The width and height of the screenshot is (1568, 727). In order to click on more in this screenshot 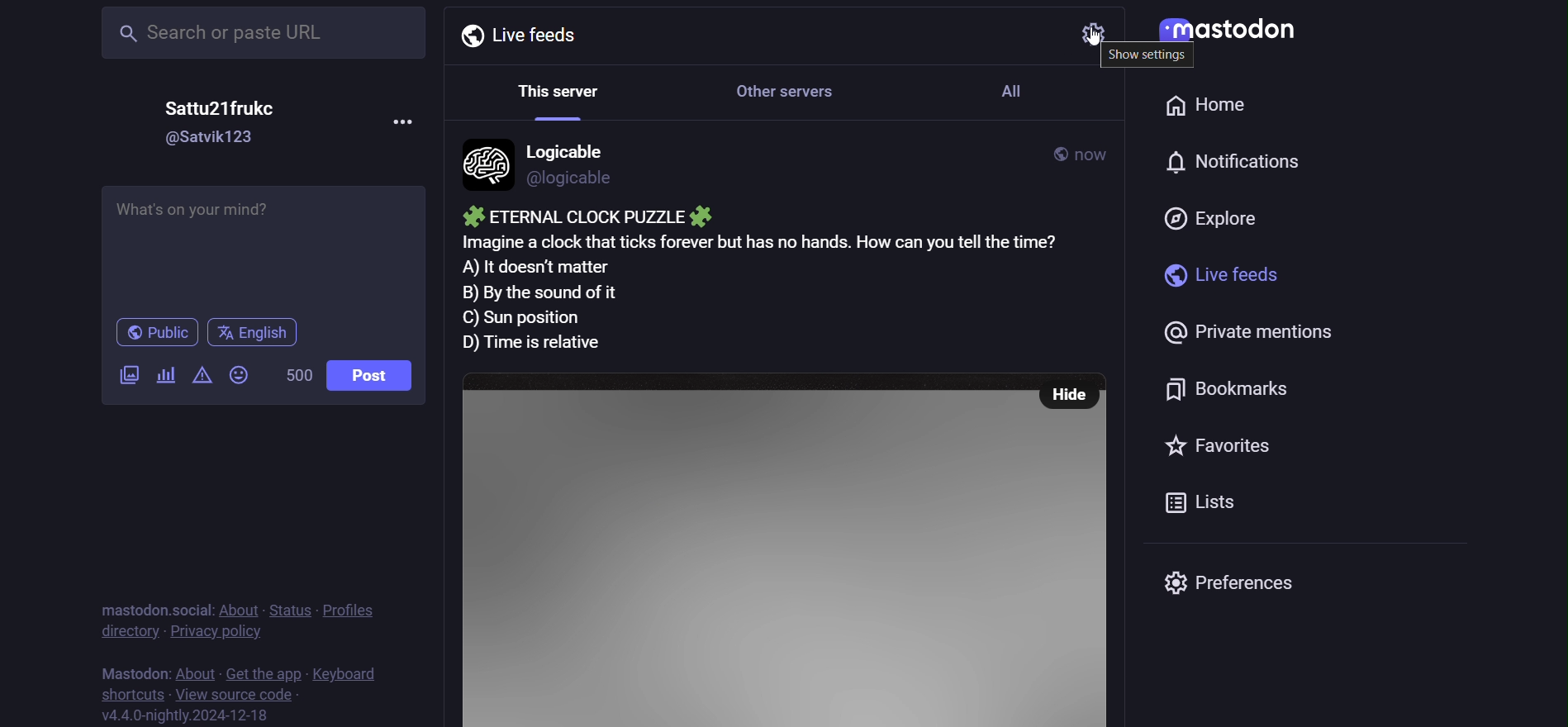, I will do `click(406, 128)`.